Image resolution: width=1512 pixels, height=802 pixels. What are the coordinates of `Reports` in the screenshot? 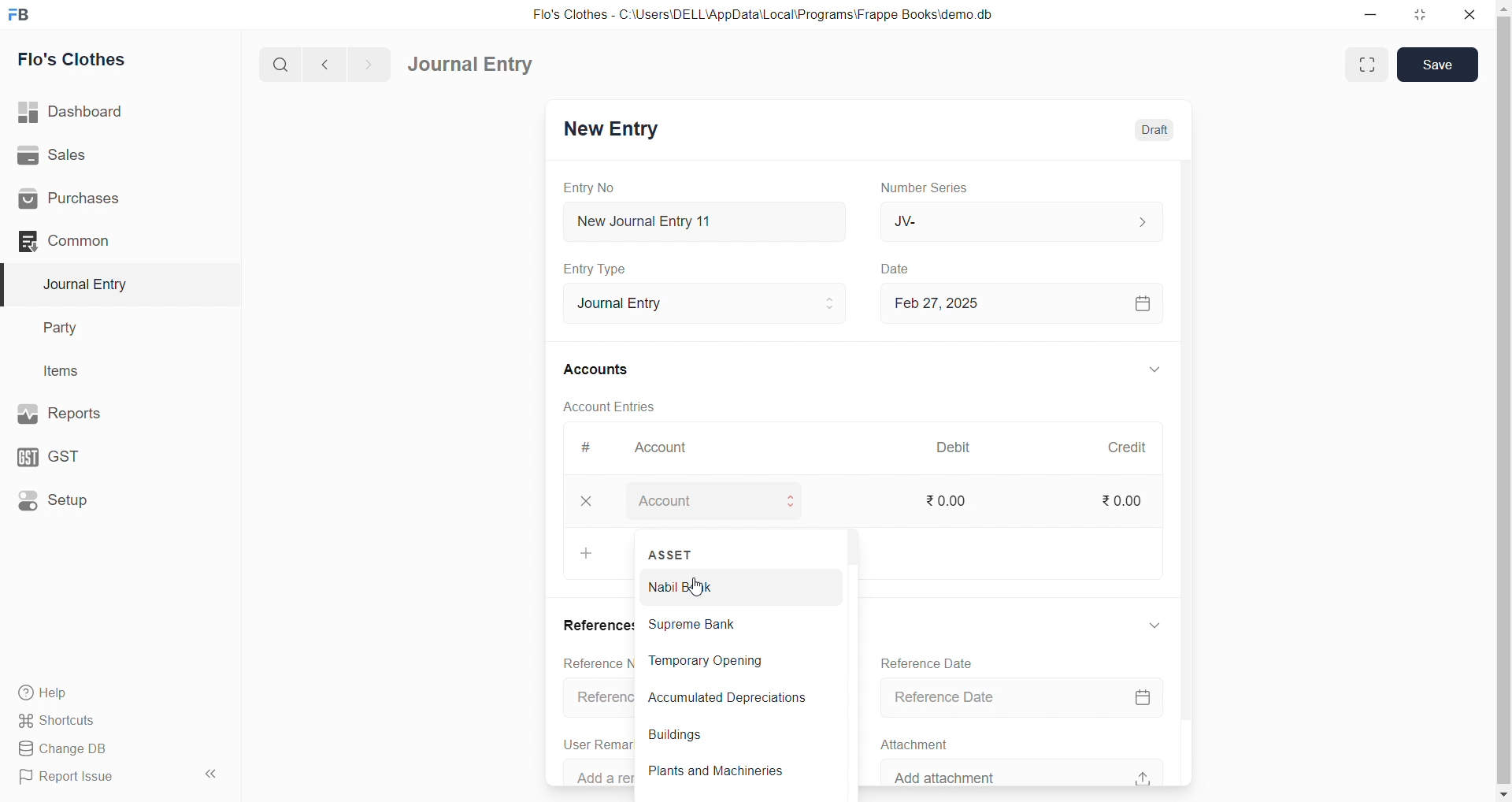 It's located at (93, 414).